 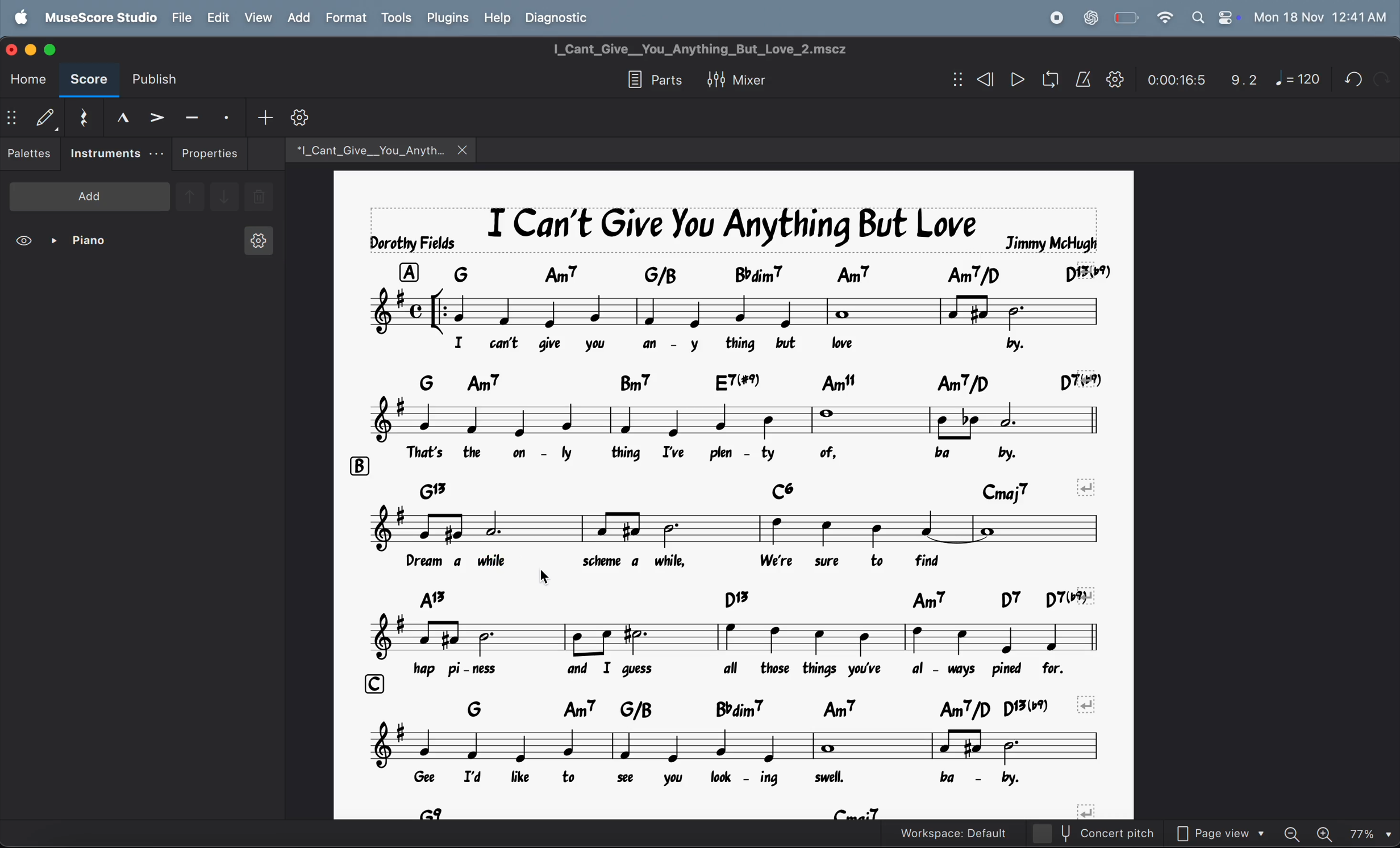 What do you see at coordinates (497, 18) in the screenshot?
I see `help` at bounding box center [497, 18].